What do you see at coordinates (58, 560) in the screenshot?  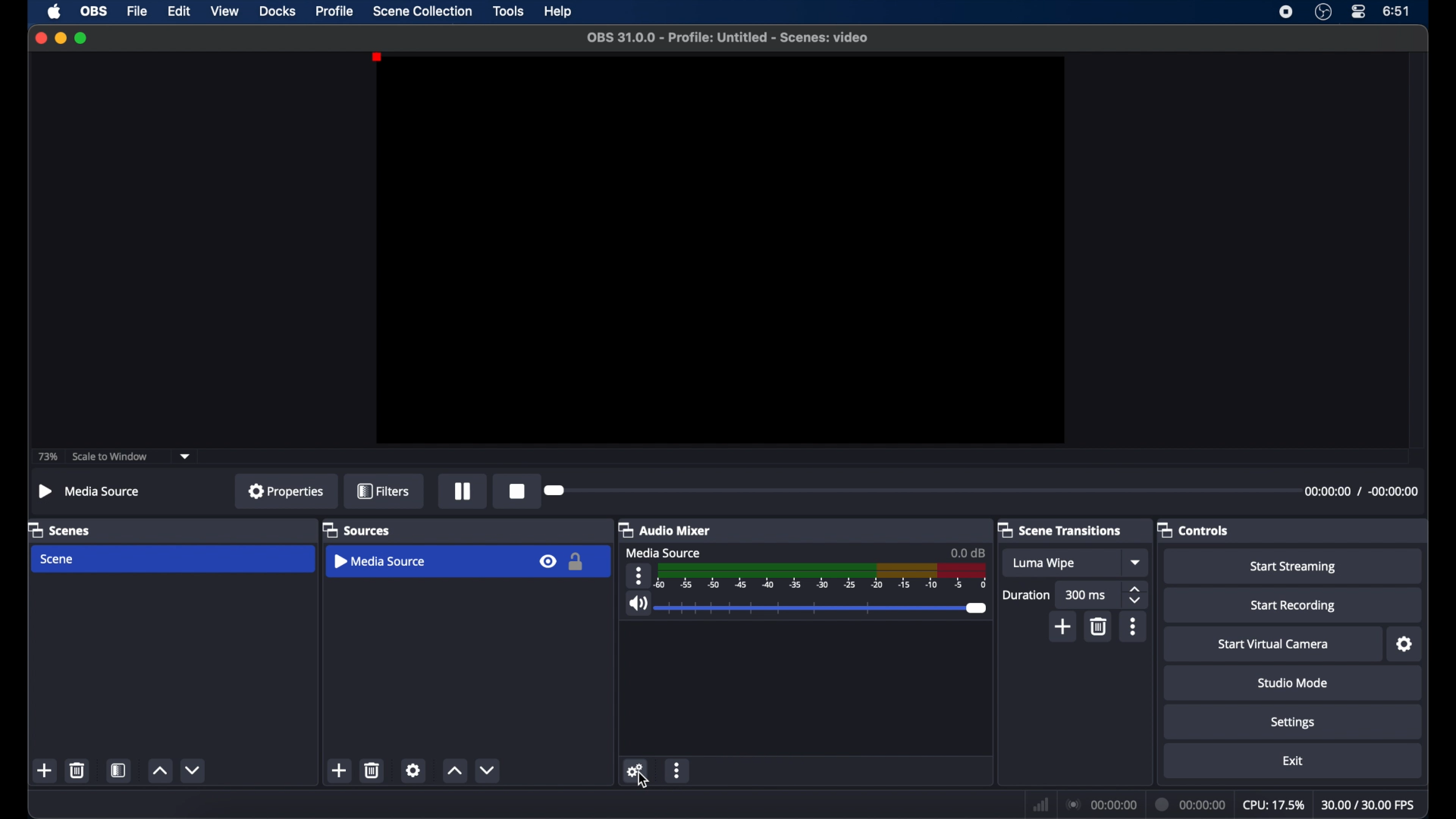 I see `scene` at bounding box center [58, 560].